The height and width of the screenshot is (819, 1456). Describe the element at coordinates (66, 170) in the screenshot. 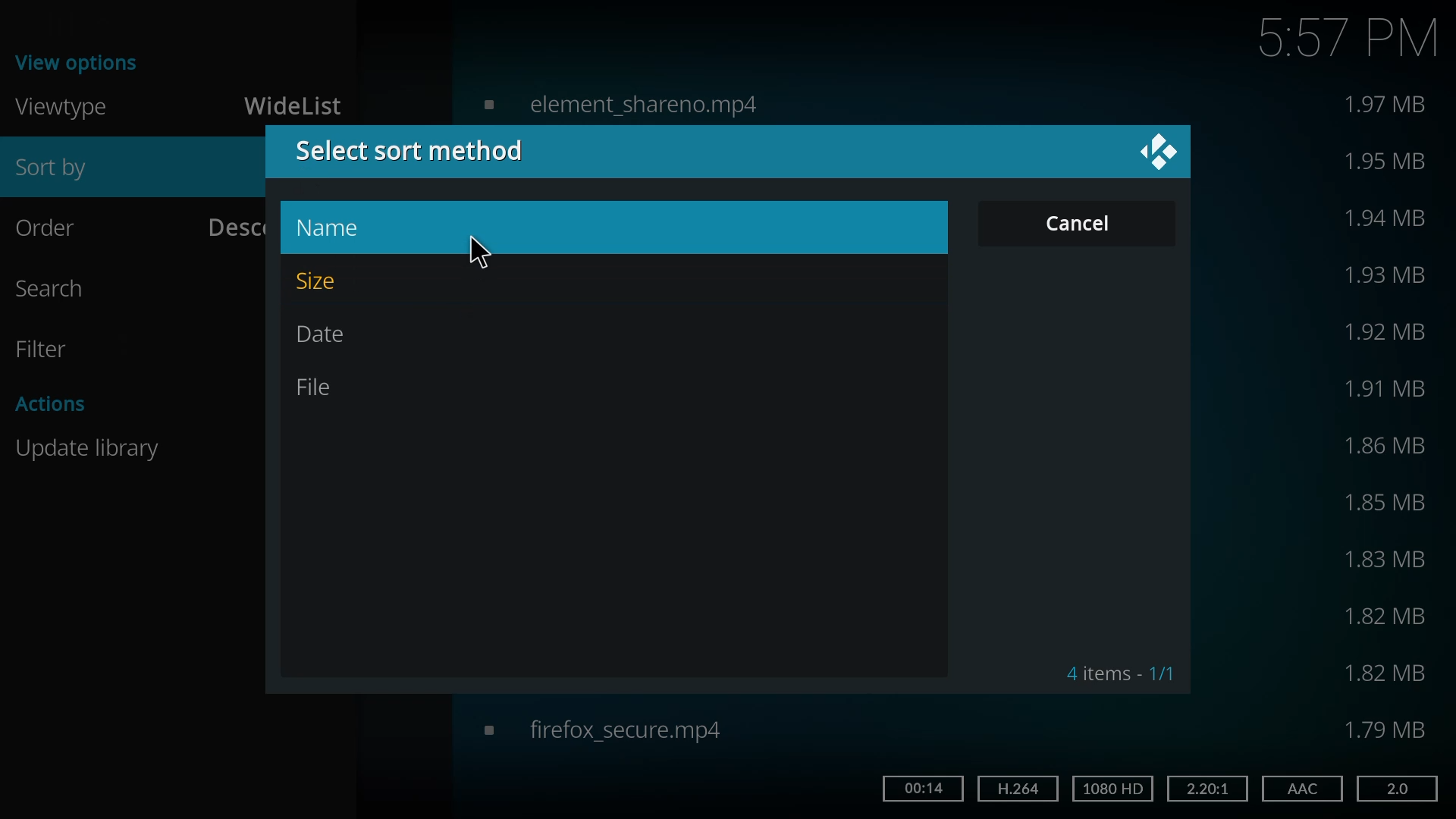

I see `sort by` at that location.